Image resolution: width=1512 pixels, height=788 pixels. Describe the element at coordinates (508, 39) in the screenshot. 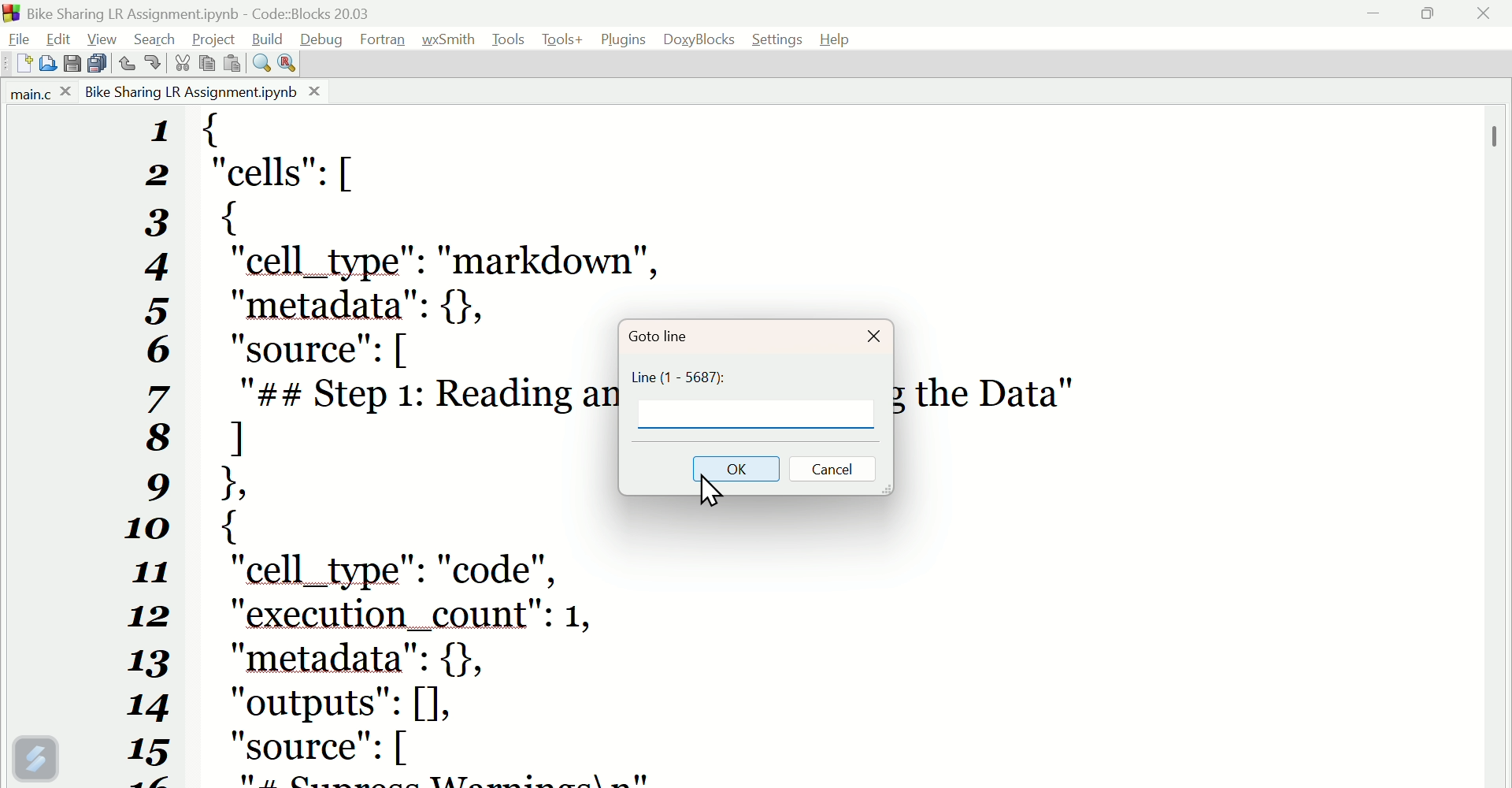

I see `Tools` at that location.